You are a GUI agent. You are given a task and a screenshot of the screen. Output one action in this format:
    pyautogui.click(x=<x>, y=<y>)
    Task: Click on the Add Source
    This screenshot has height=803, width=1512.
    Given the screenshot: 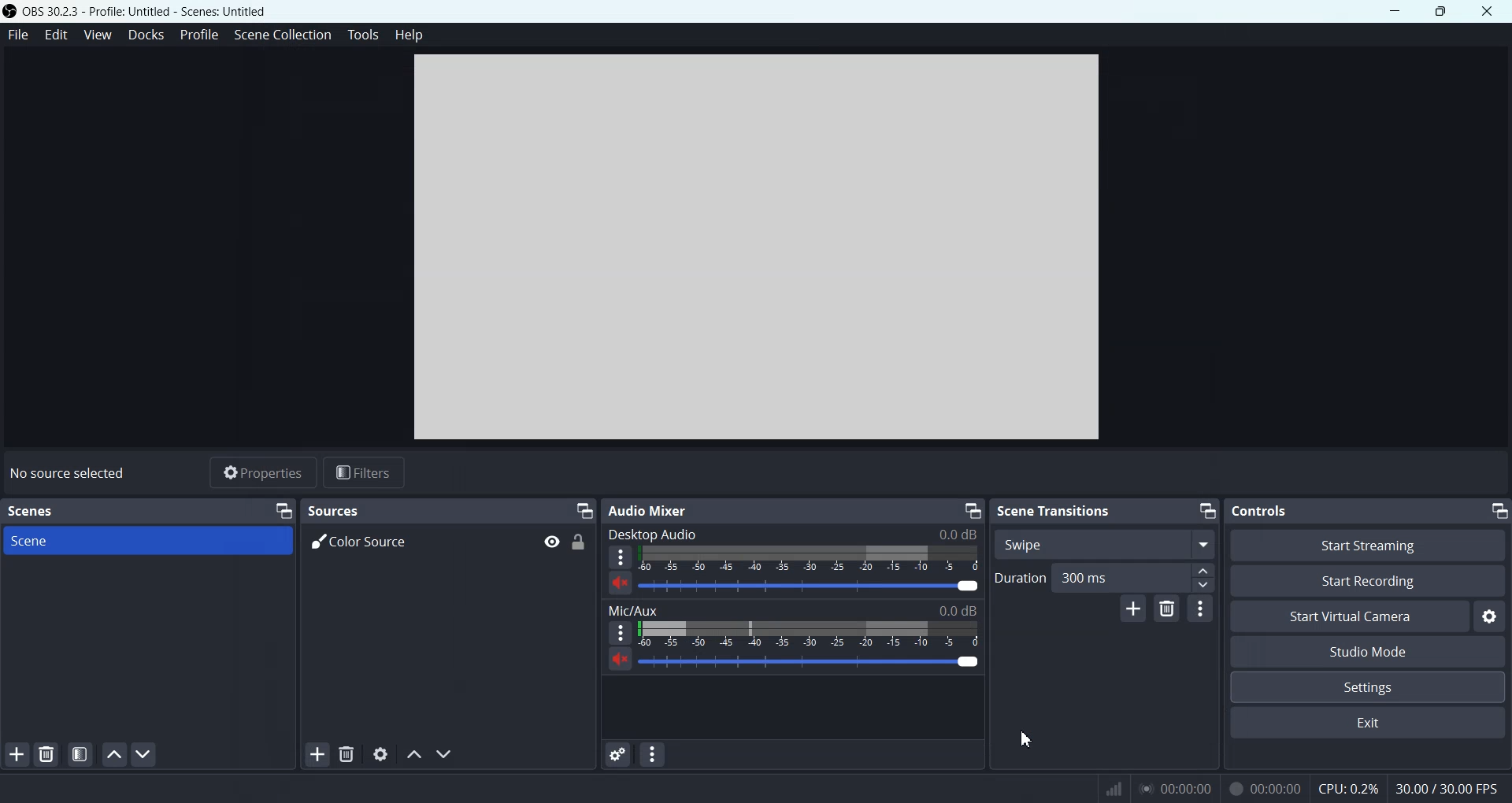 What is the action you would take?
    pyautogui.click(x=317, y=754)
    